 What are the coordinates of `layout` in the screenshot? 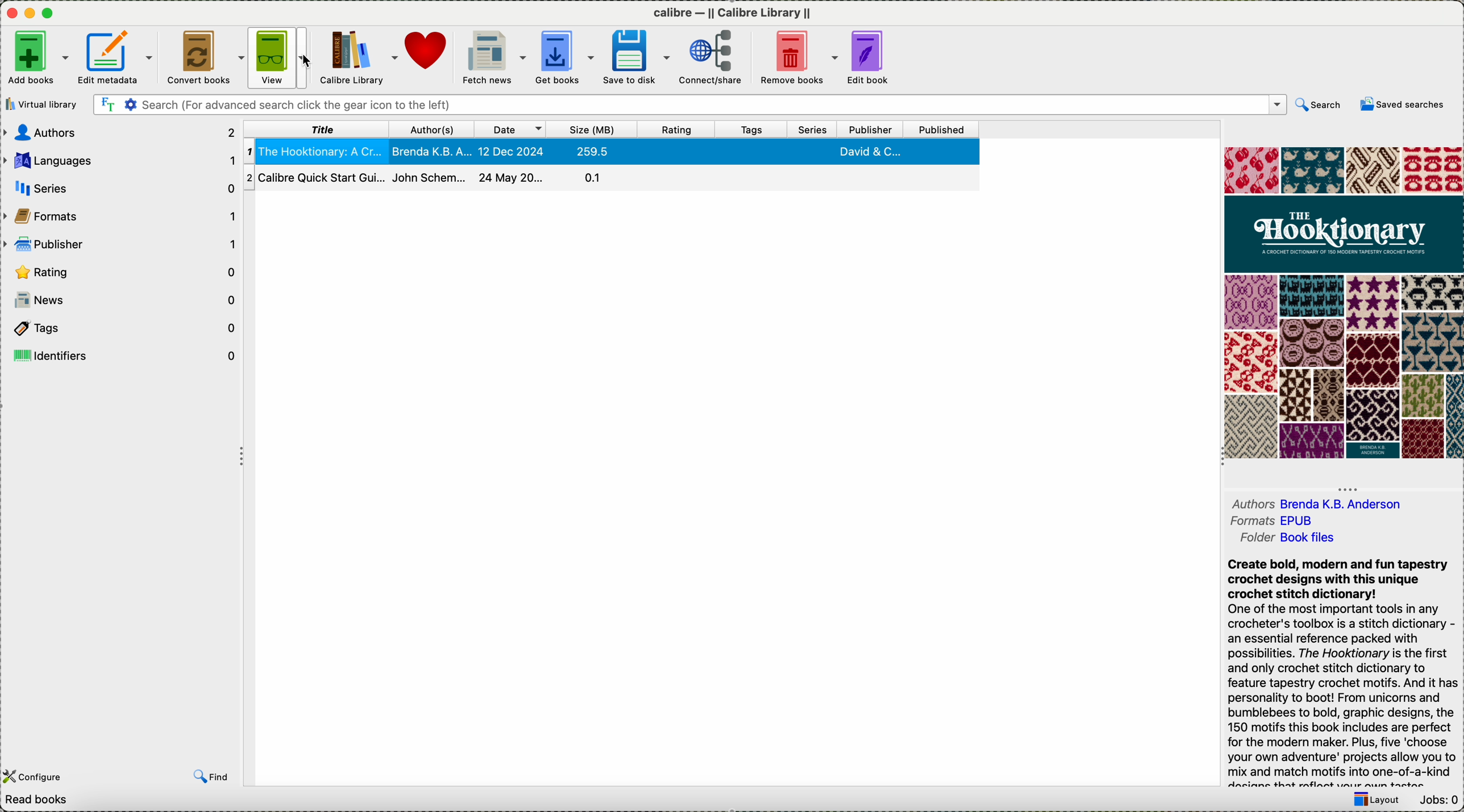 It's located at (1372, 801).